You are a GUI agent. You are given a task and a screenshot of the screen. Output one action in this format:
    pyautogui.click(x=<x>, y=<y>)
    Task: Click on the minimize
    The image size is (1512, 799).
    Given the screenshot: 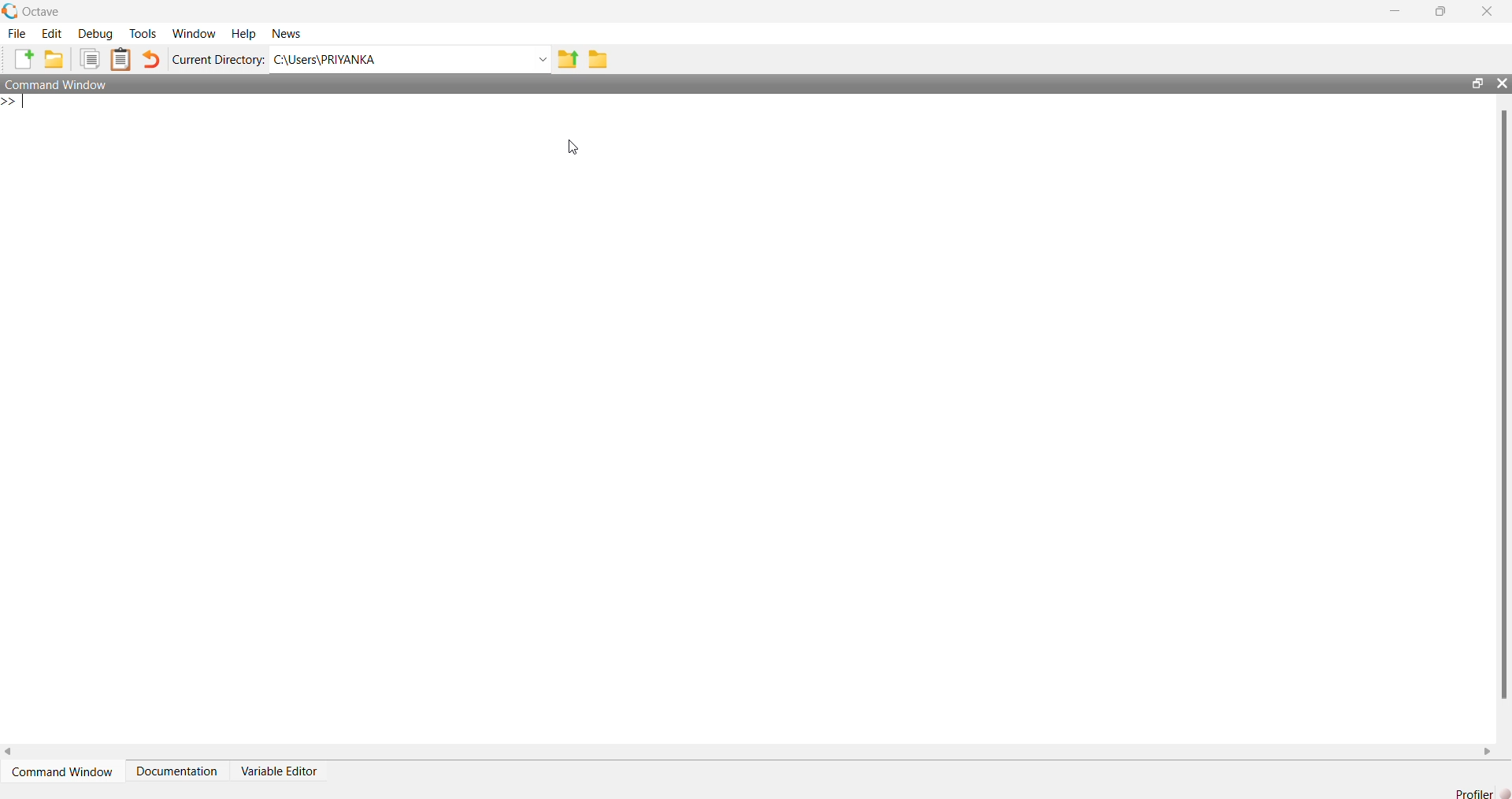 What is the action you would take?
    pyautogui.click(x=1395, y=12)
    